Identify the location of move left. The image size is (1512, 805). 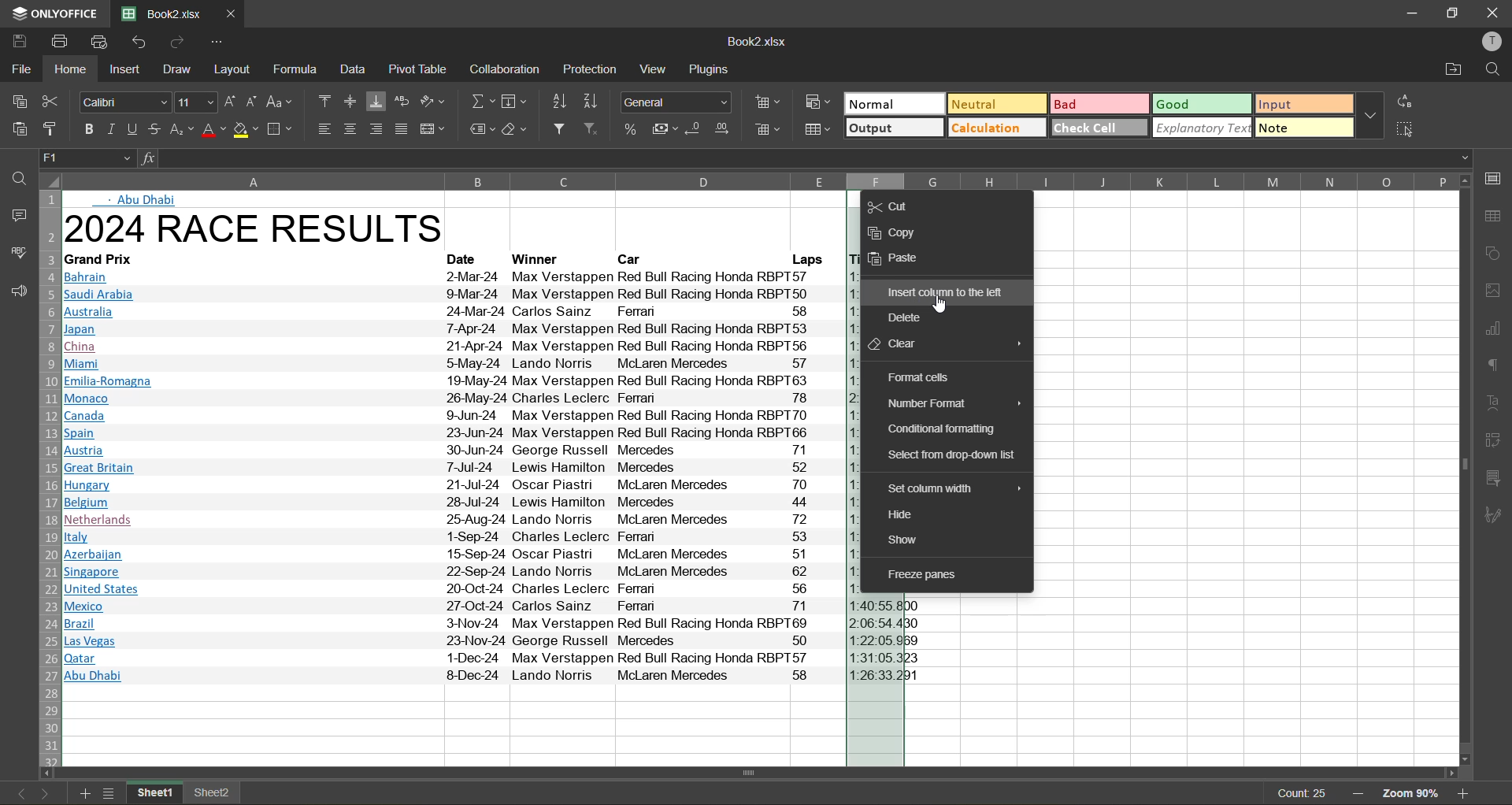
(46, 770).